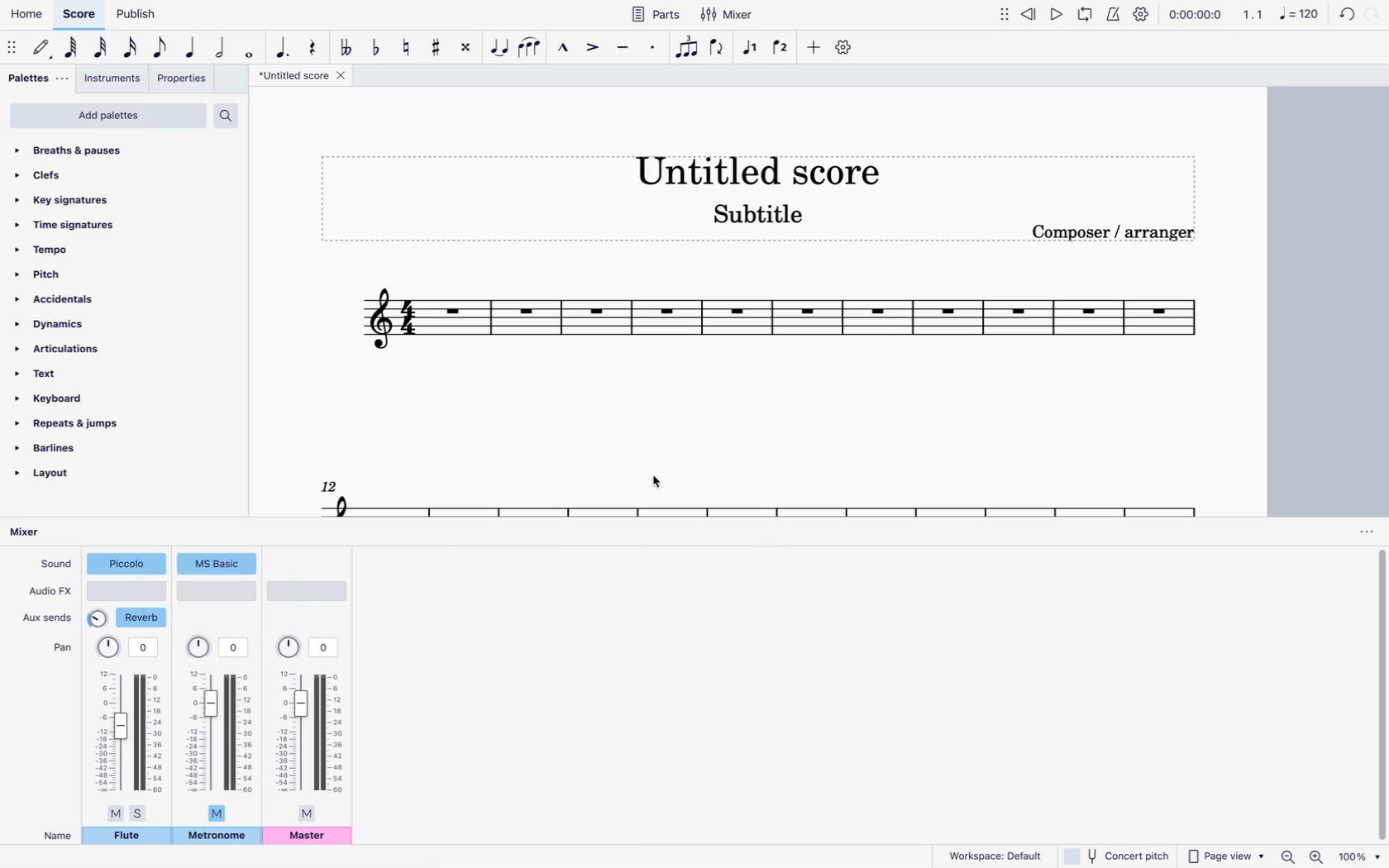 The image size is (1389, 868). Describe the element at coordinates (1005, 13) in the screenshot. I see `move` at that location.